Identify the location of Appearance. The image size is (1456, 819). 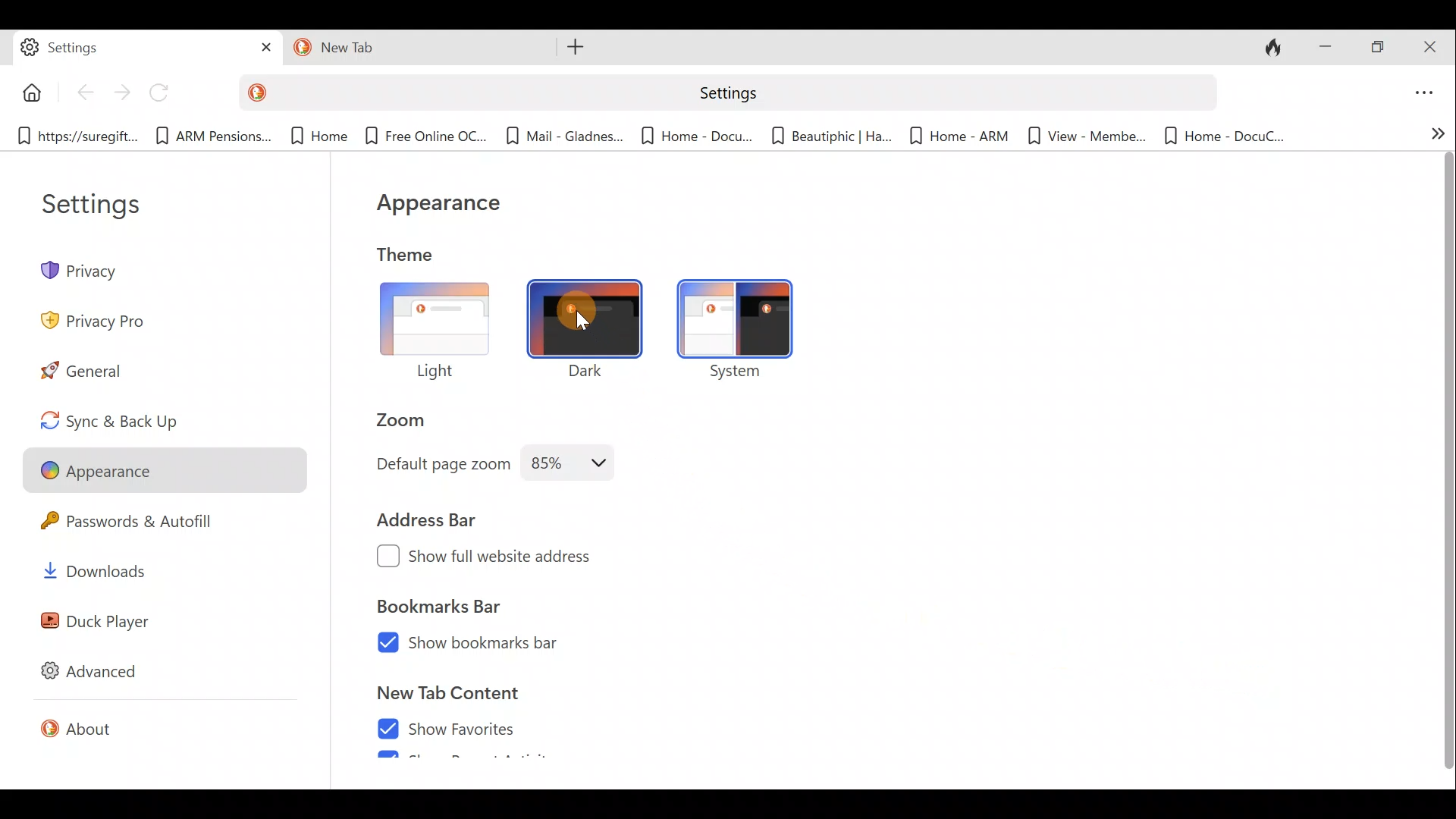
(442, 209).